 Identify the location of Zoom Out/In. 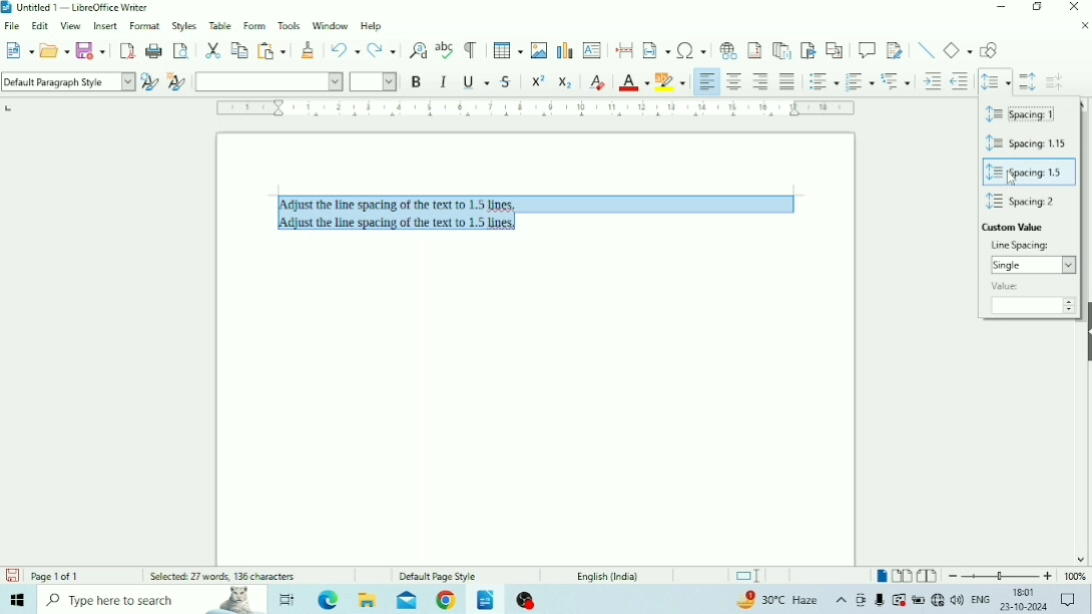
(1000, 575).